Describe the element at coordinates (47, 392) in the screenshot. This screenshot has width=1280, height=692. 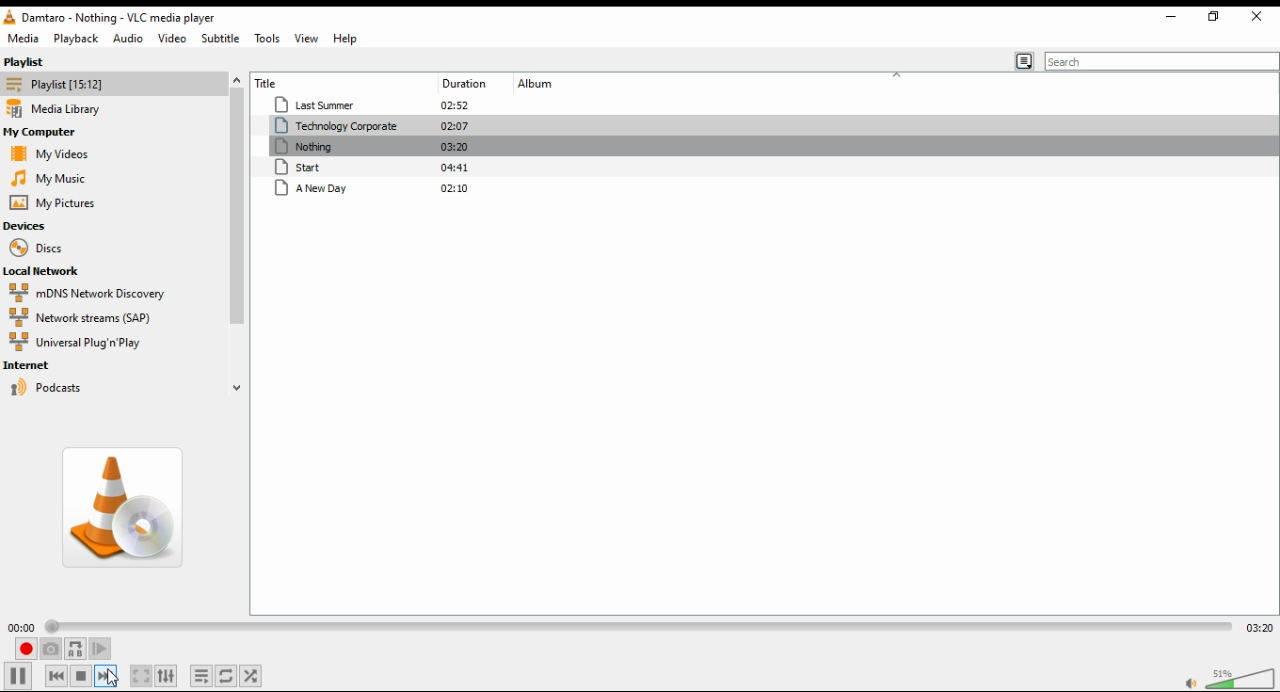
I see `podcasts` at that location.